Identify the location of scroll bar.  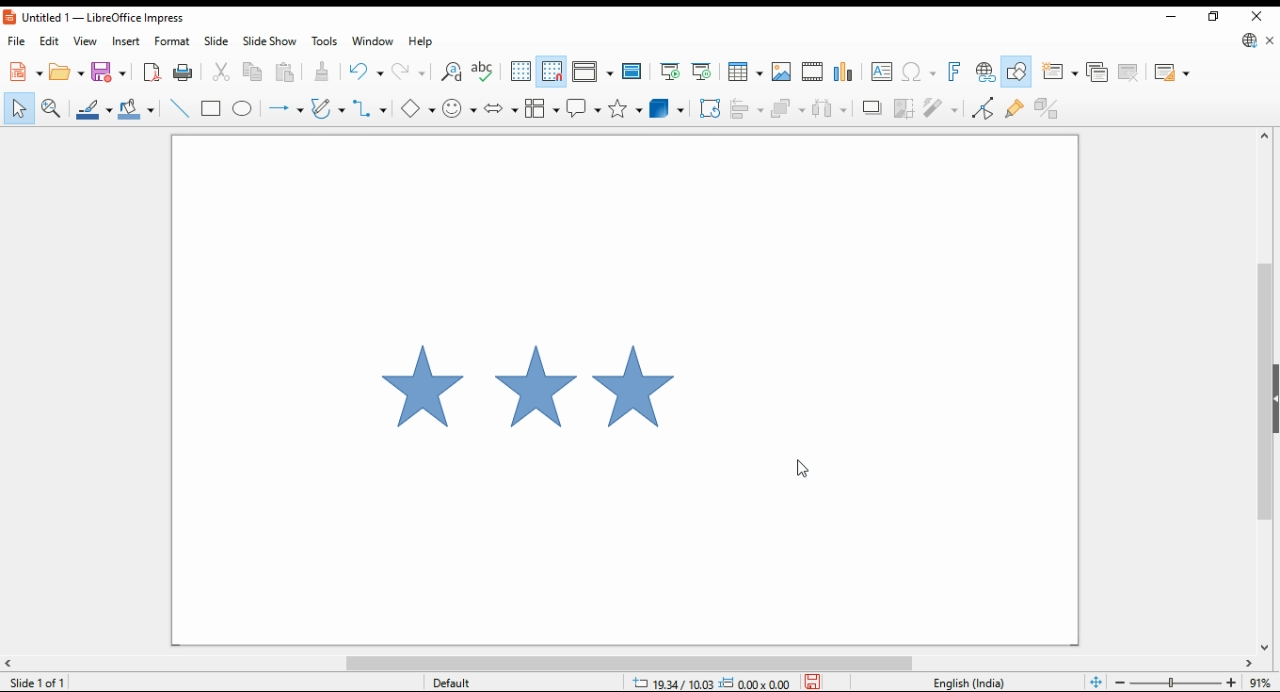
(640, 662).